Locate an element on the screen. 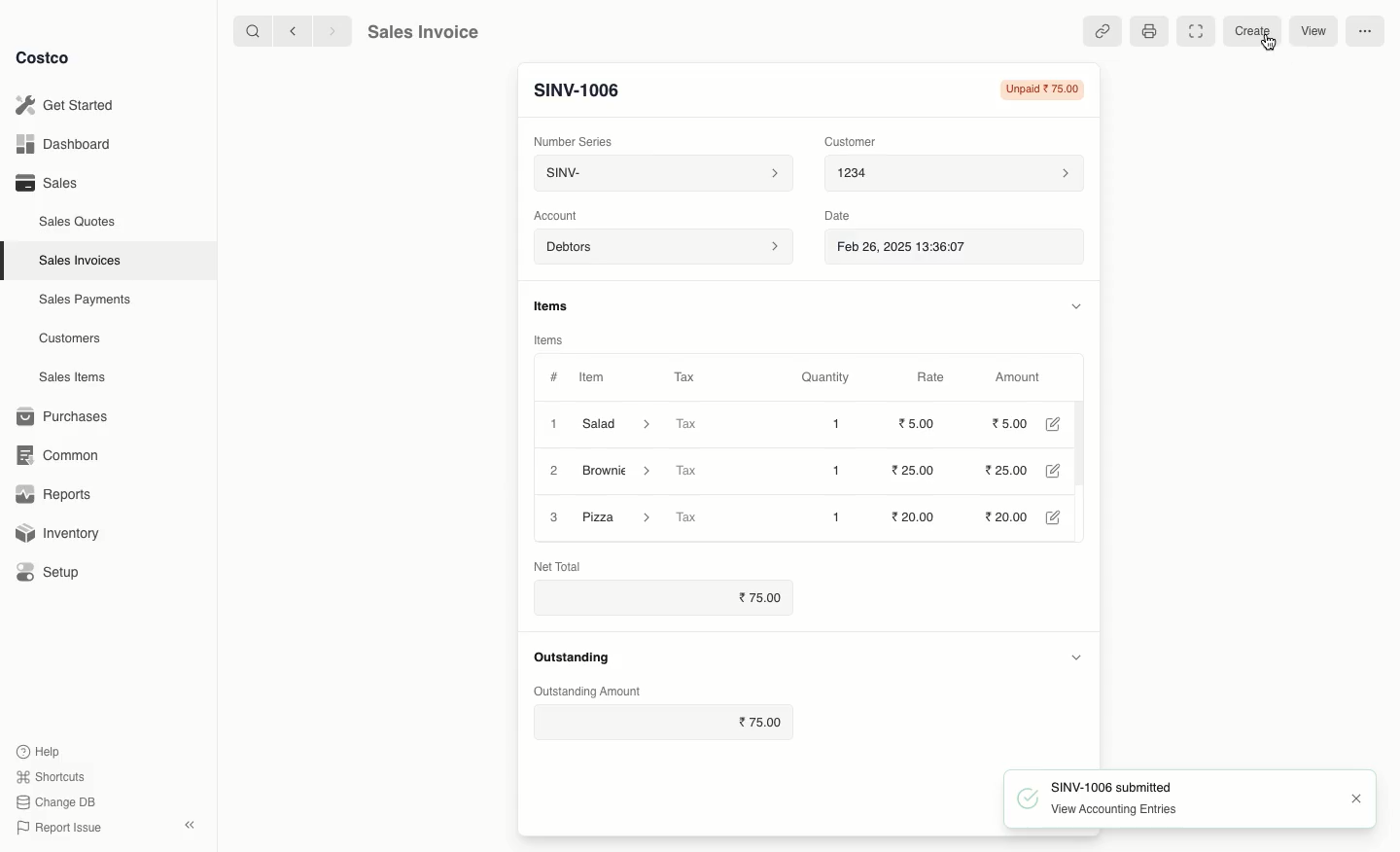 The height and width of the screenshot is (852, 1400). 2 is located at coordinates (552, 470).